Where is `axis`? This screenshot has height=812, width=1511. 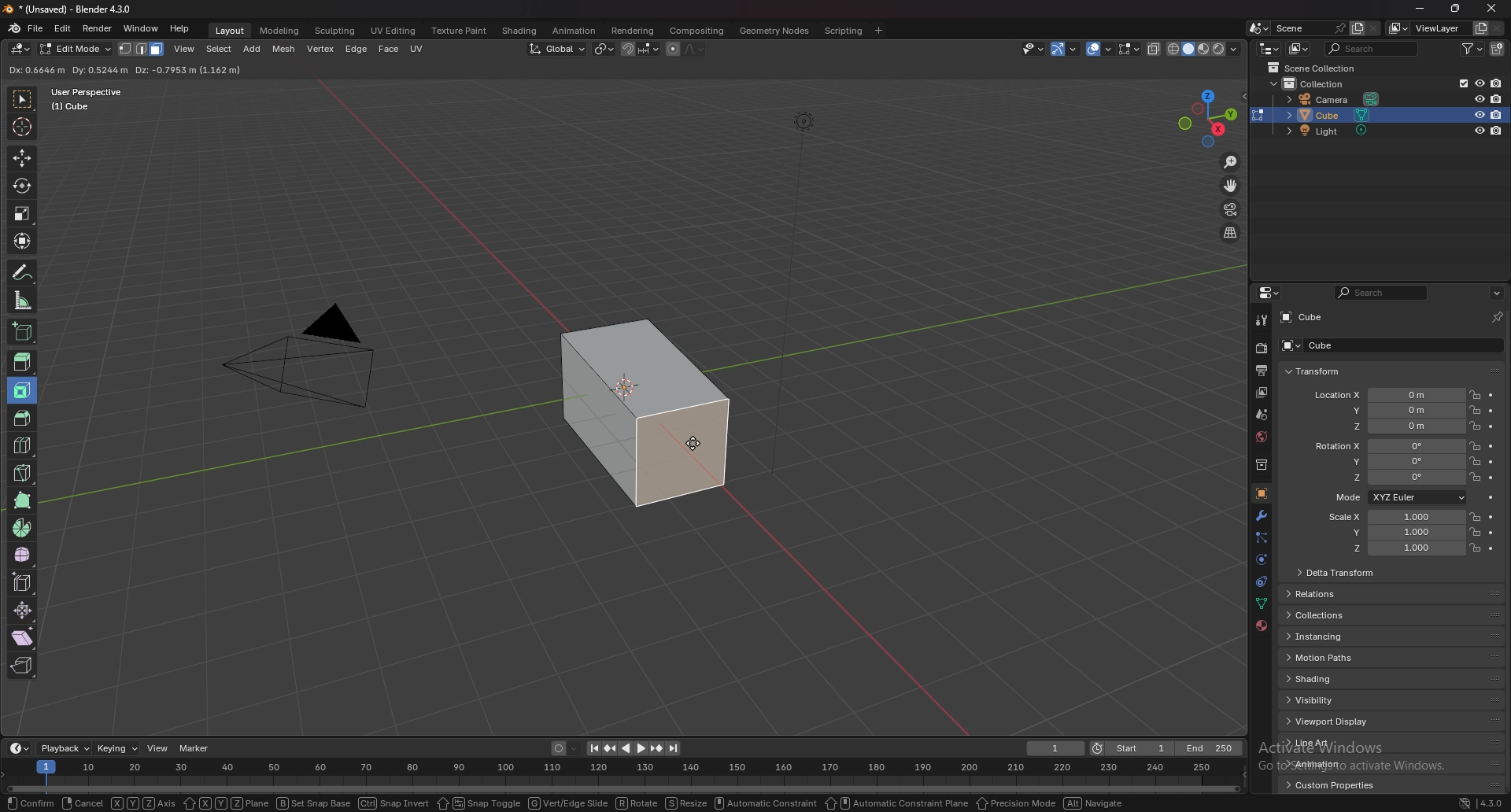 axis is located at coordinates (144, 803).